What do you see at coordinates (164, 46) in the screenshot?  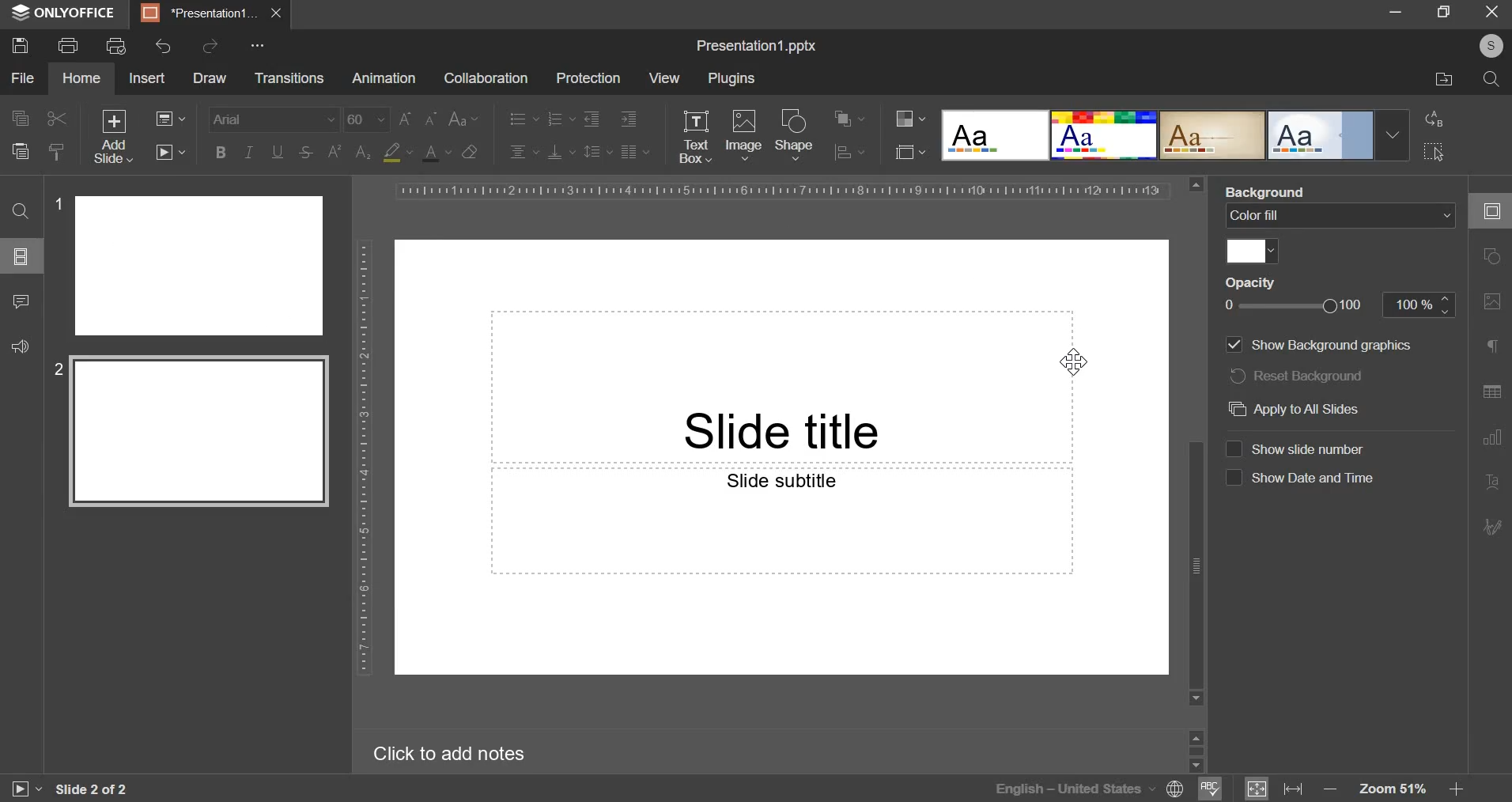 I see `undo` at bounding box center [164, 46].